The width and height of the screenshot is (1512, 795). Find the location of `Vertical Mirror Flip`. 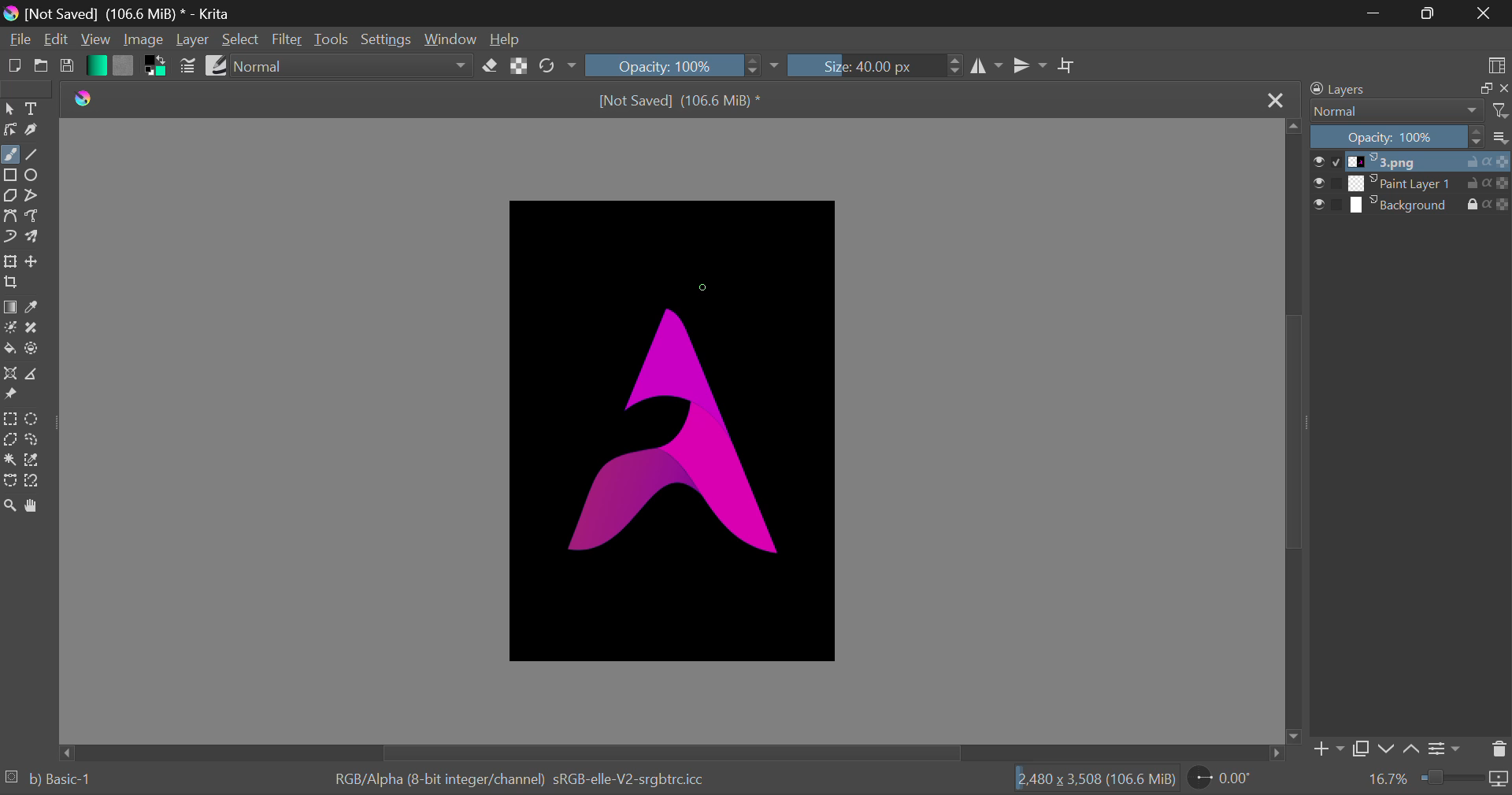

Vertical Mirror Flip is located at coordinates (987, 65).